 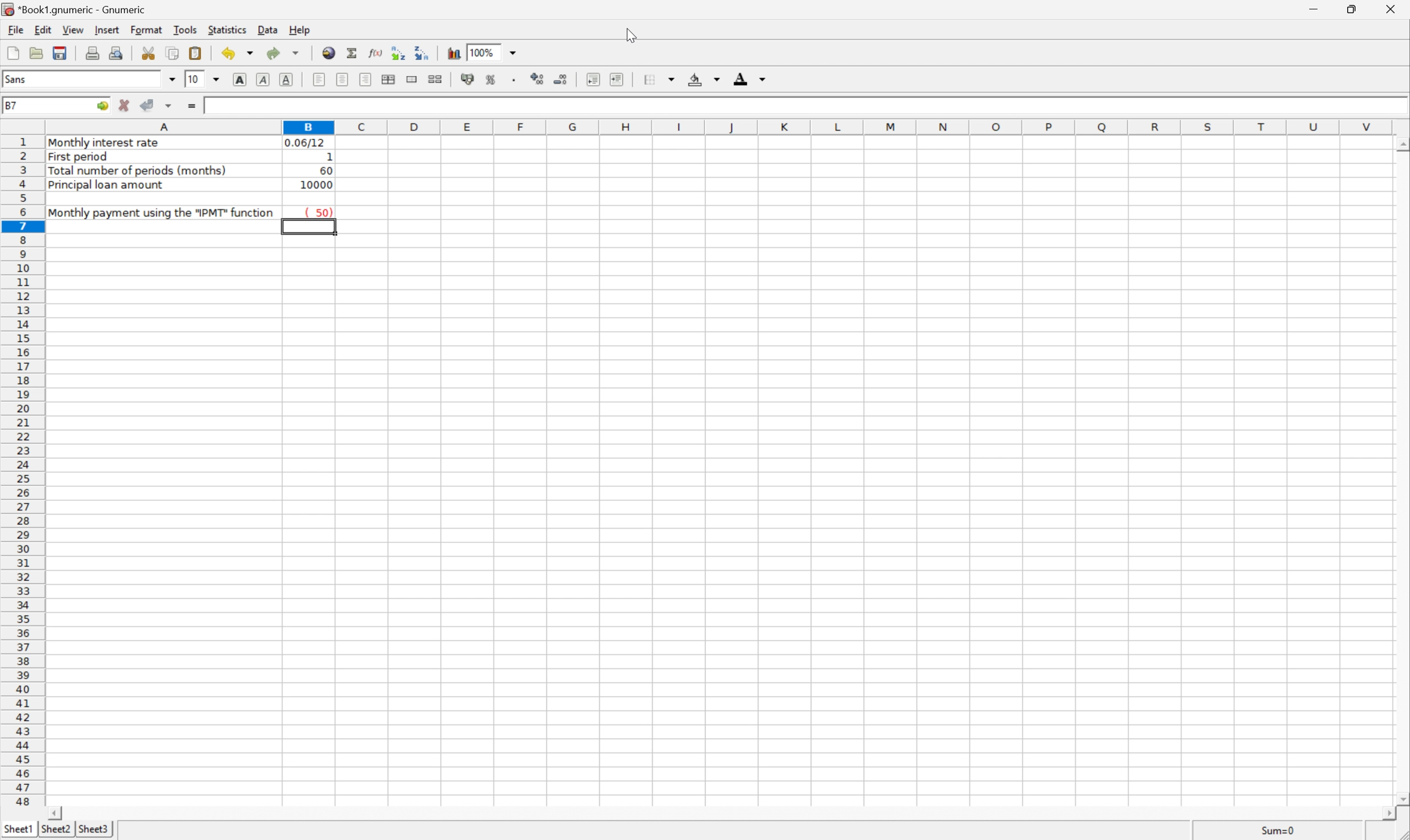 What do you see at coordinates (123, 104) in the screenshot?
I see `Cancel changes` at bounding box center [123, 104].